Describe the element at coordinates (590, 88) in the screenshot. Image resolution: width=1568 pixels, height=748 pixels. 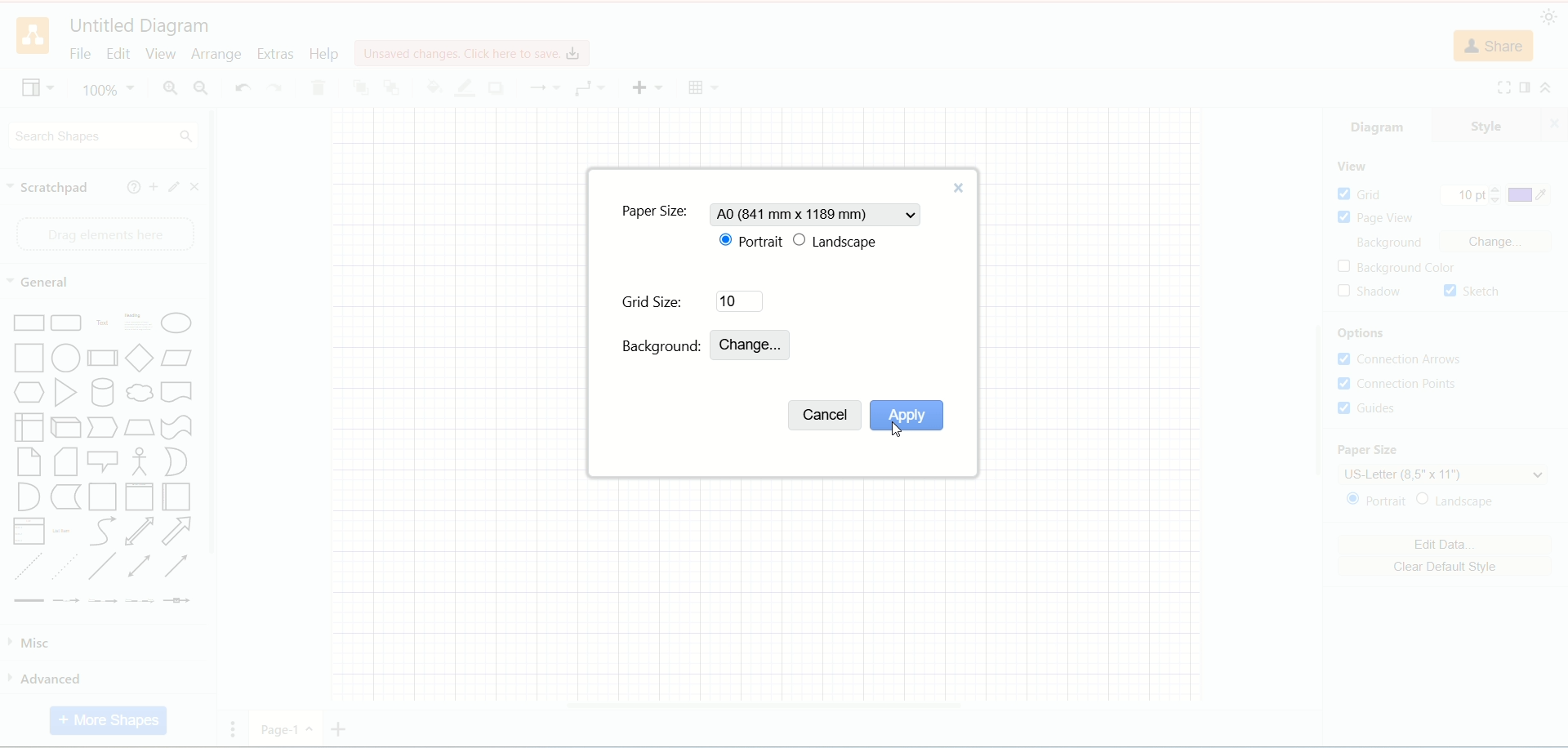
I see `connection` at that location.